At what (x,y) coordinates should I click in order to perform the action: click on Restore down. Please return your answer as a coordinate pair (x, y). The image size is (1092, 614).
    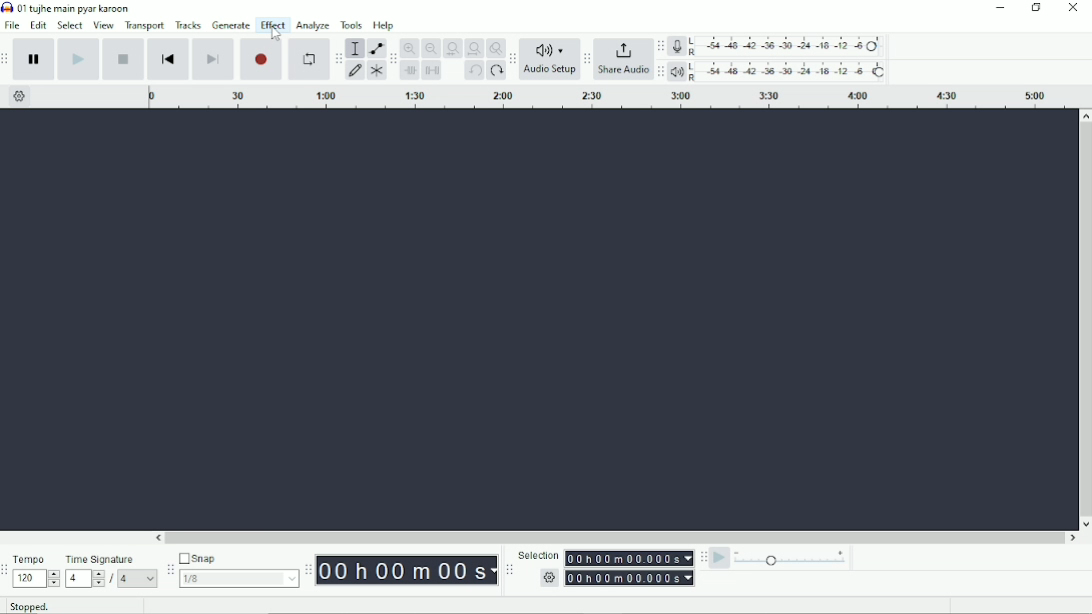
    Looking at the image, I should click on (1036, 8).